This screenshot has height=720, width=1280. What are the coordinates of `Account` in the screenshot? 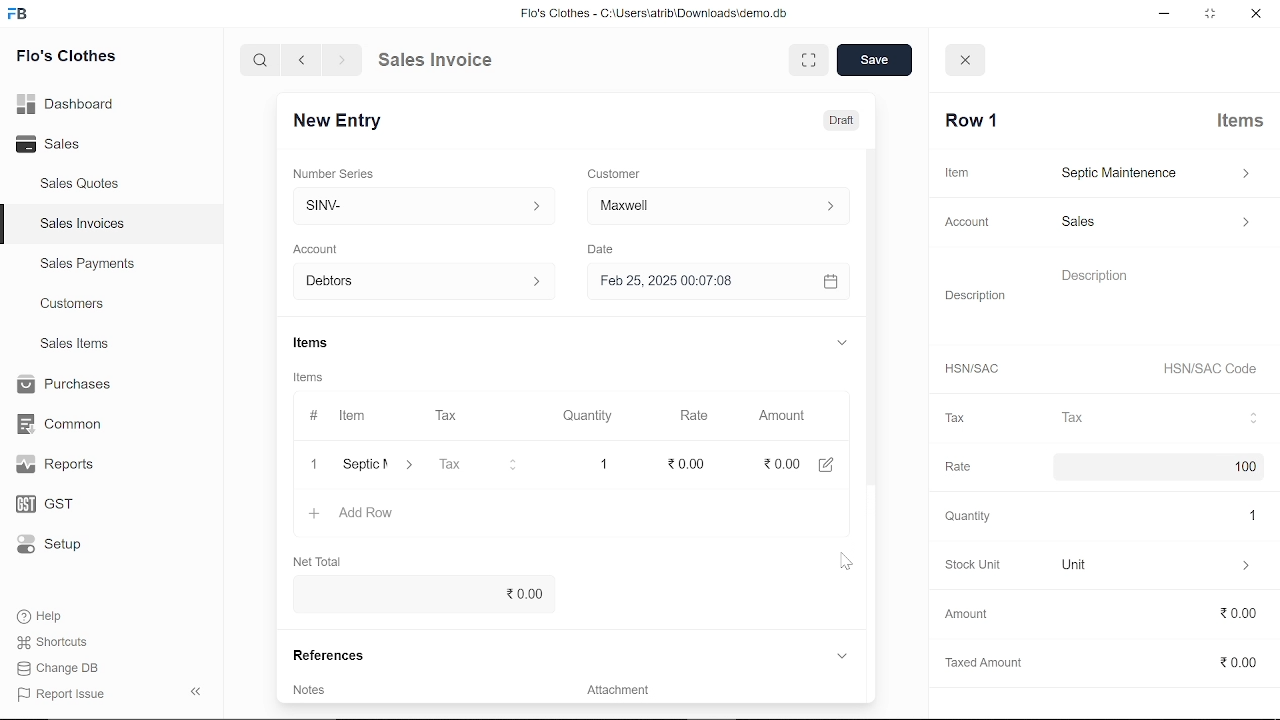 It's located at (970, 222).